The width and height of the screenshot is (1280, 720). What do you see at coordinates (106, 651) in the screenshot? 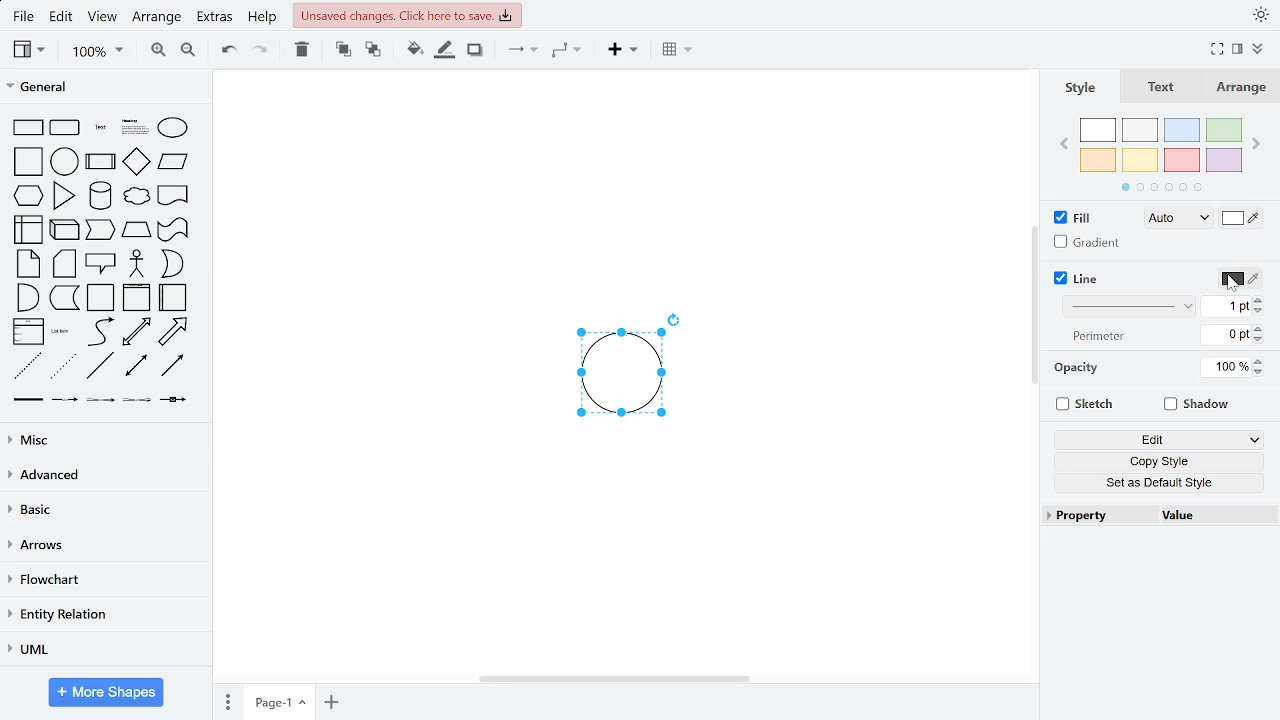
I see `UML` at bounding box center [106, 651].